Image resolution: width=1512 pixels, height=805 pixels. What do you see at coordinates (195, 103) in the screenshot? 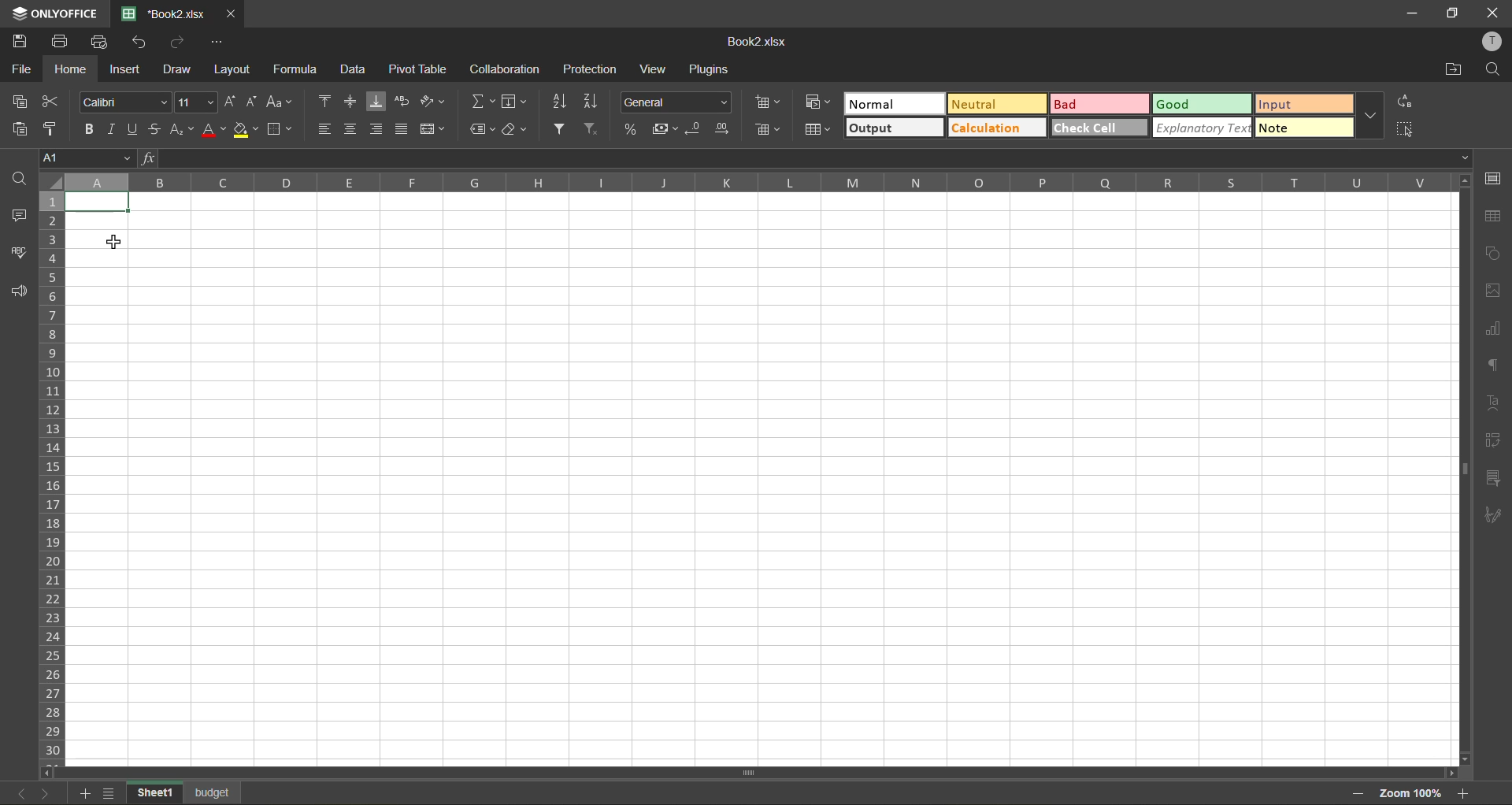
I see `font size` at bounding box center [195, 103].